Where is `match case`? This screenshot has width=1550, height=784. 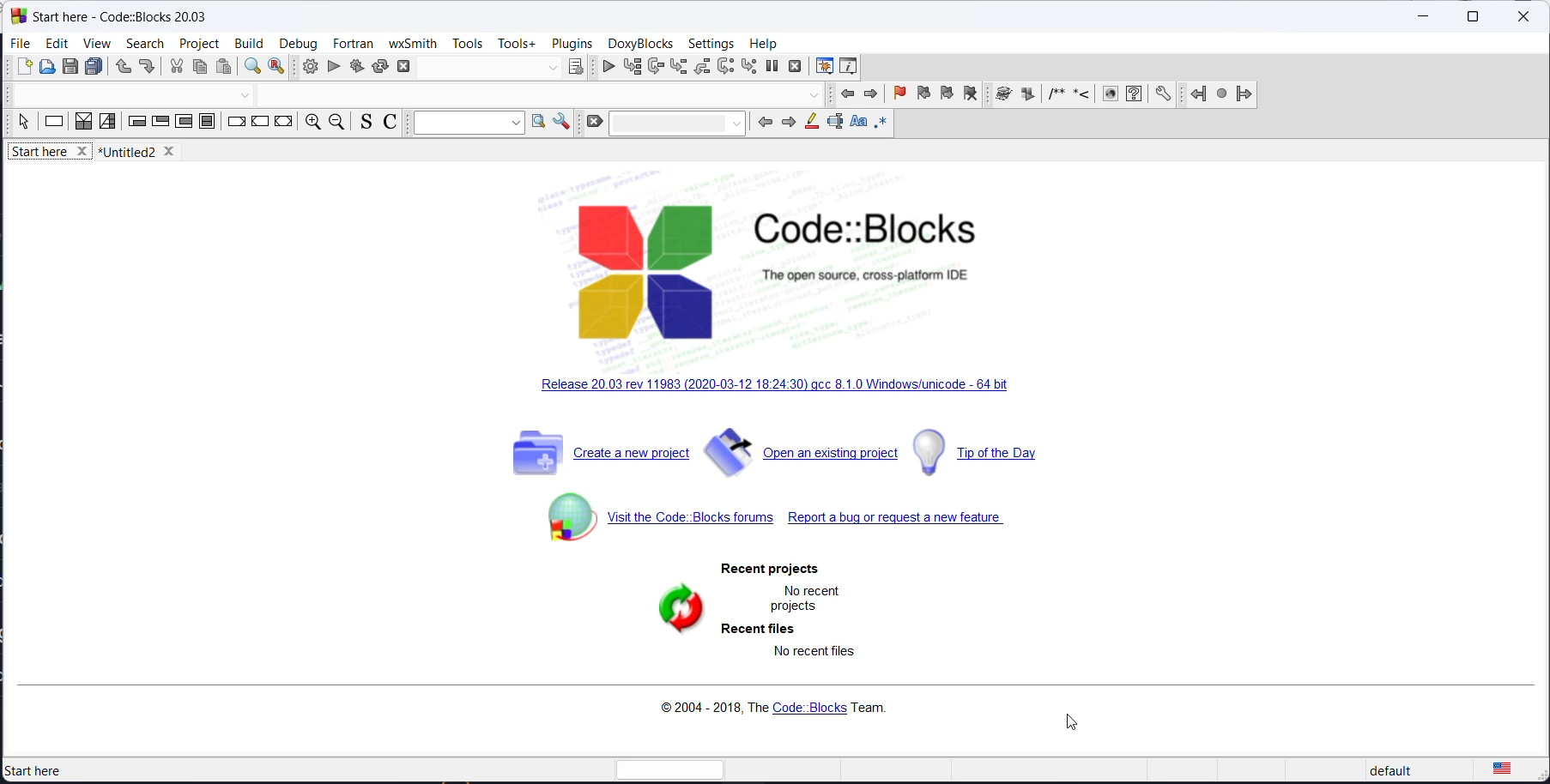 match case is located at coordinates (856, 124).